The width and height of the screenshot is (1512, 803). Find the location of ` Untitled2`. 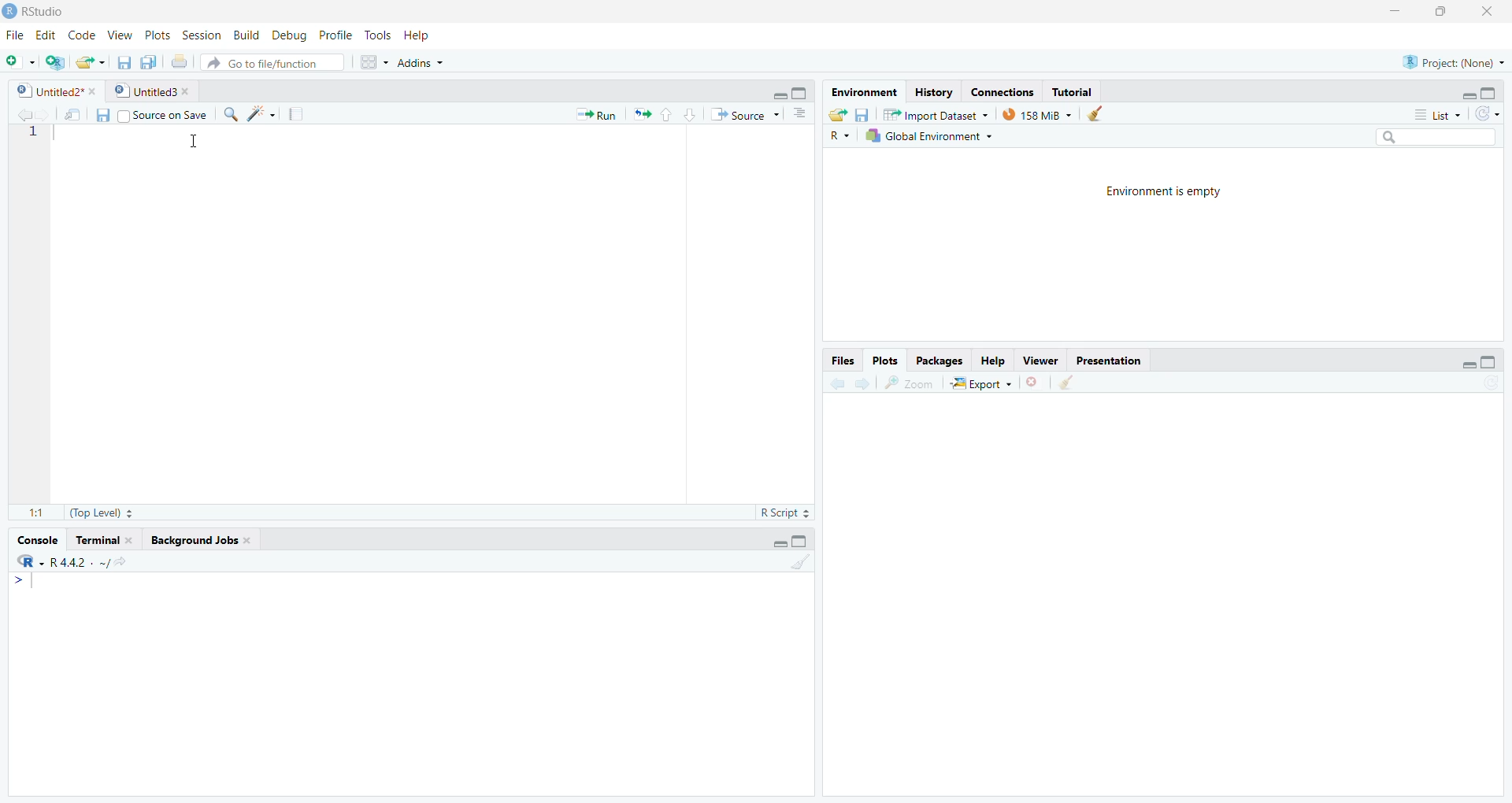

 Untitled2 is located at coordinates (51, 89).